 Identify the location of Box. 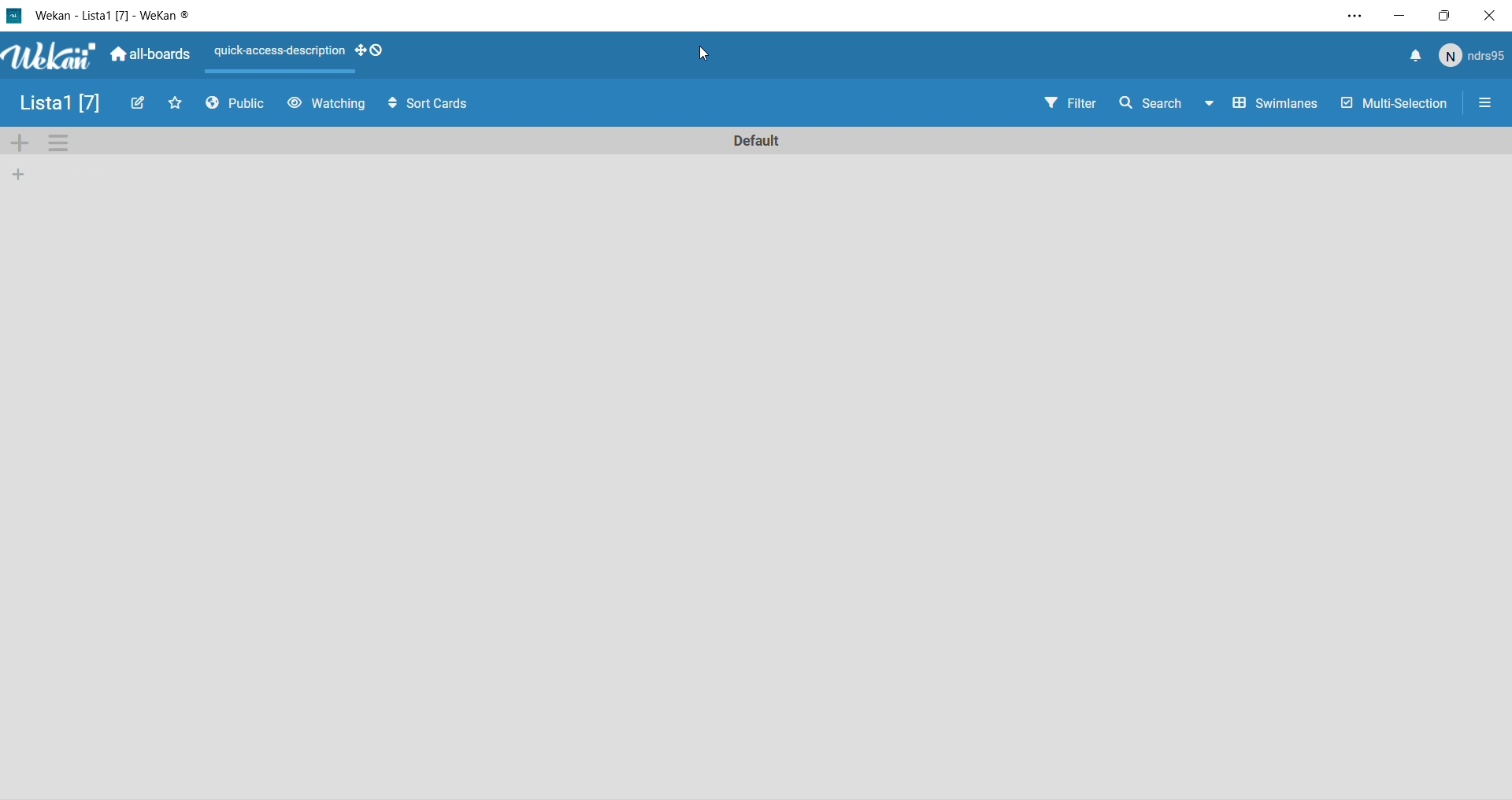
(1443, 15).